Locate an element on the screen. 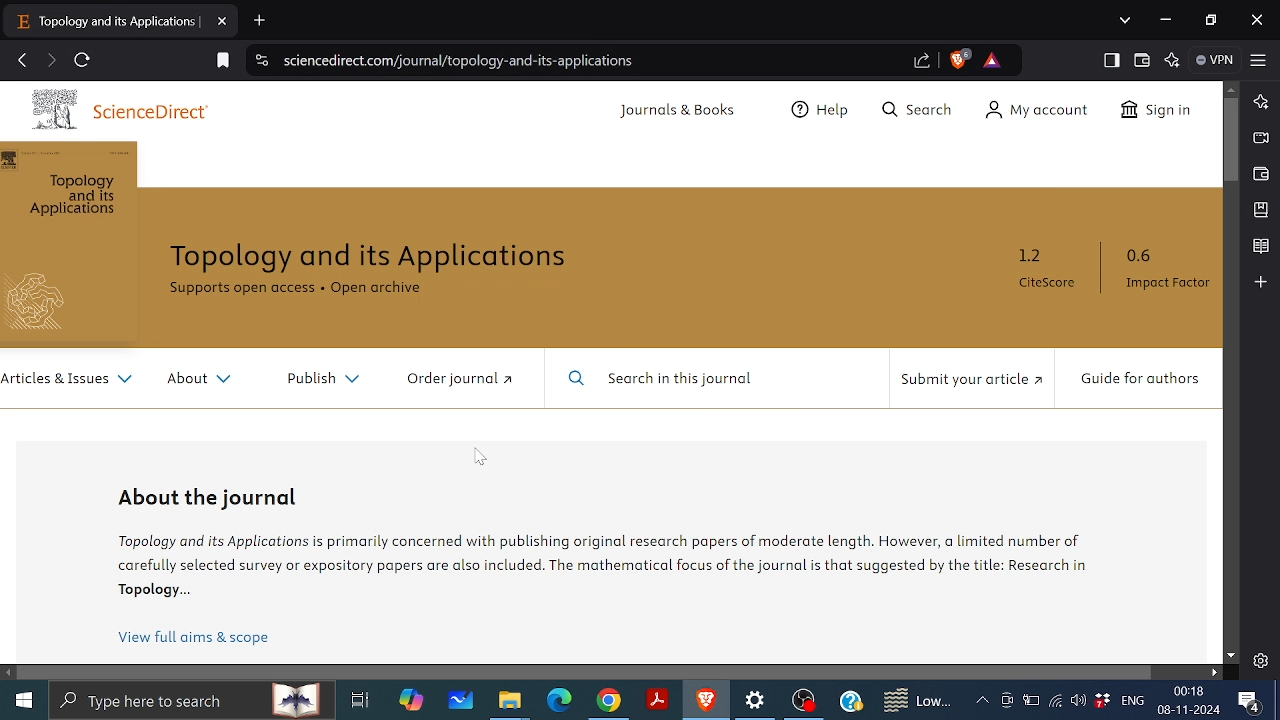 Image resolution: width=1280 pixels, height=720 pixels. Topology and its Applications is located at coordinates (371, 257).